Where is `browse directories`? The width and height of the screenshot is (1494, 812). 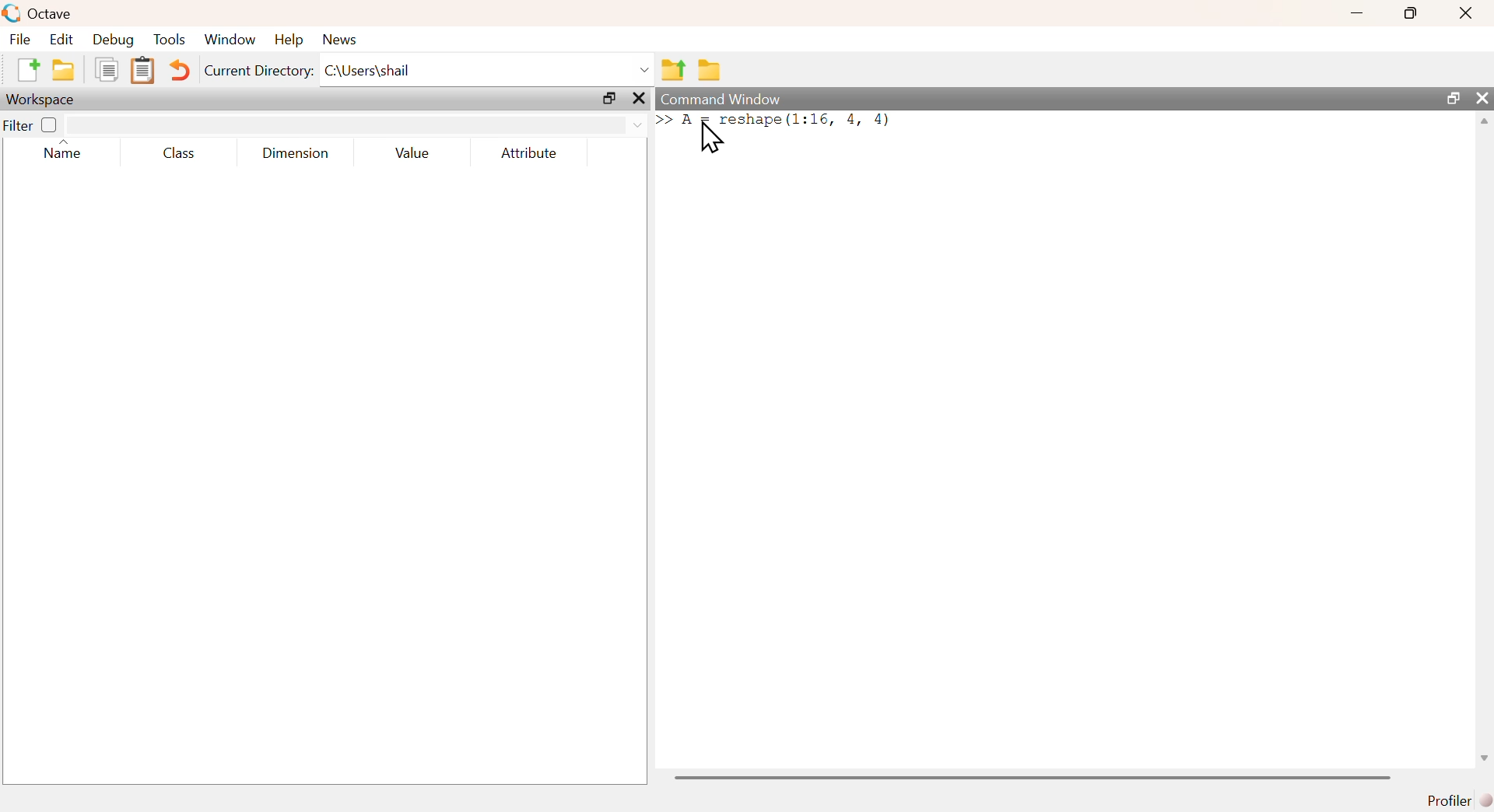 browse directories is located at coordinates (710, 72).